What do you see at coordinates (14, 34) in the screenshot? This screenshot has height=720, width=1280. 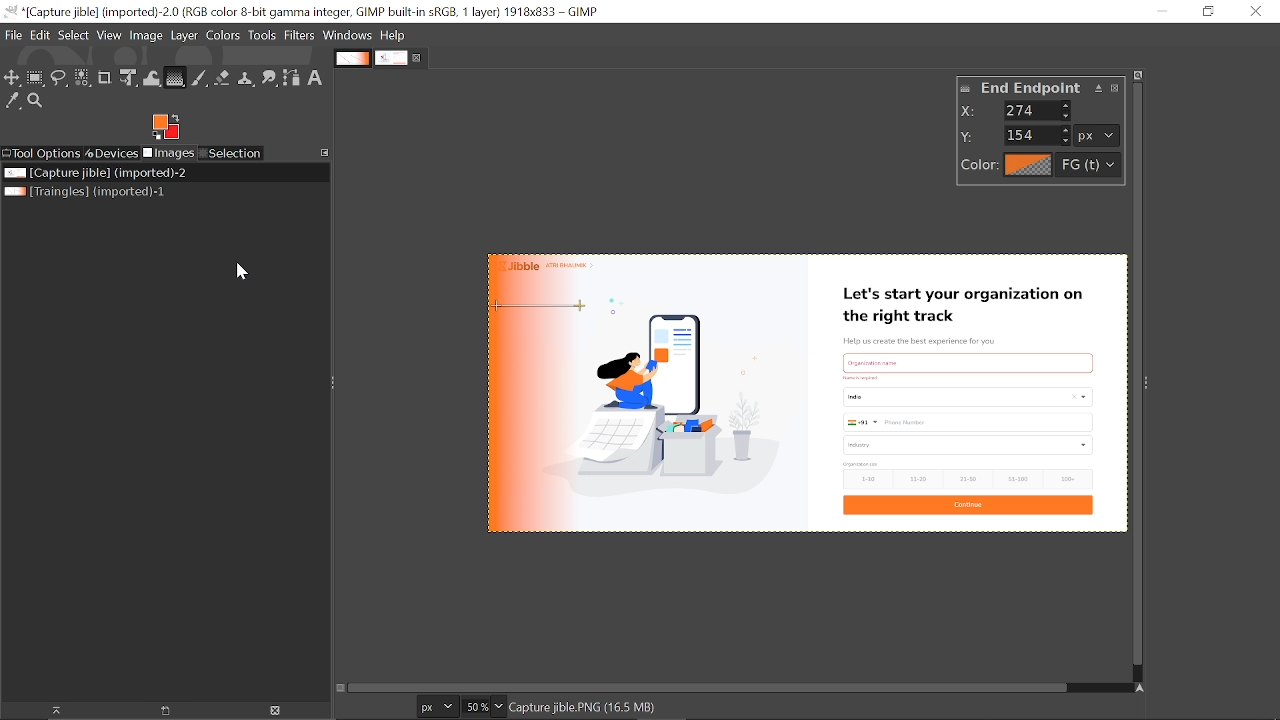 I see `File` at bounding box center [14, 34].